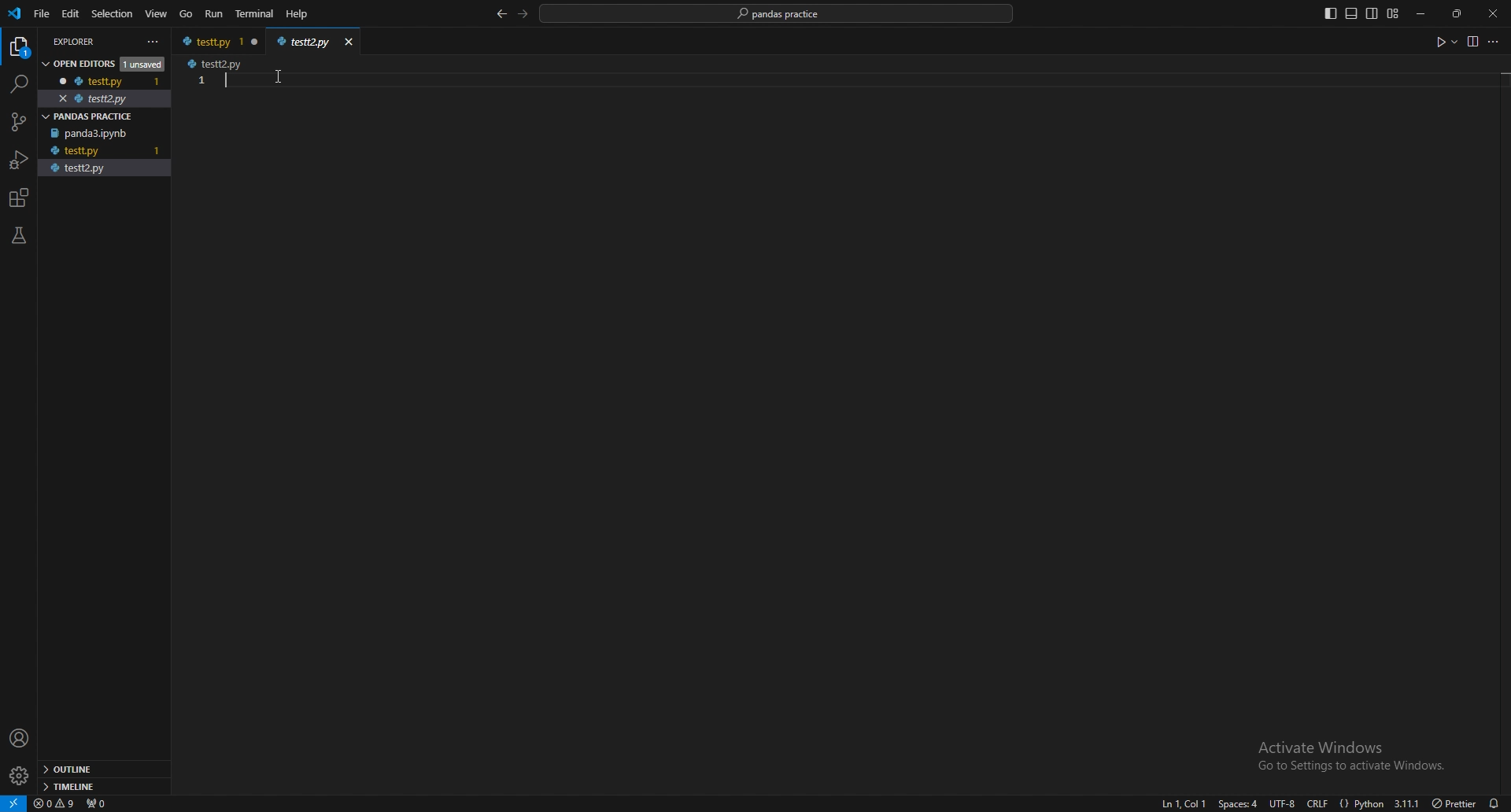 This screenshot has width=1511, height=812. I want to click on edit, so click(72, 13).